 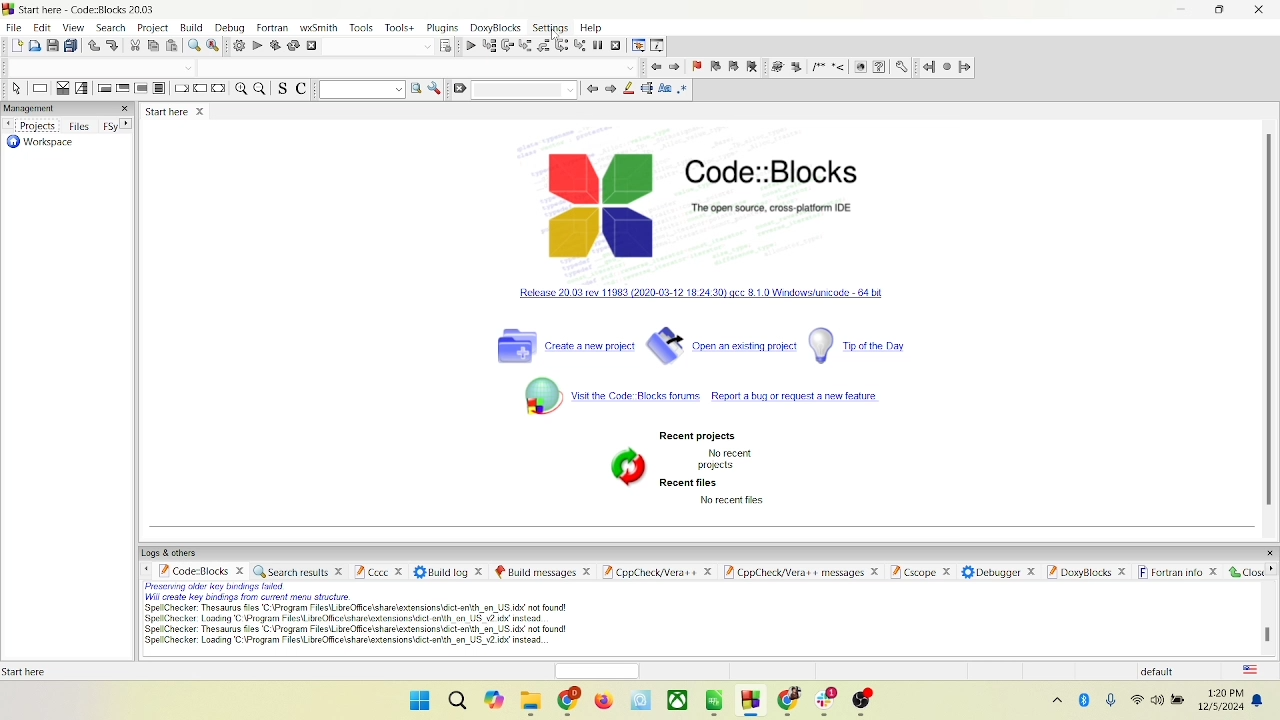 What do you see at coordinates (39, 87) in the screenshot?
I see `instruction` at bounding box center [39, 87].